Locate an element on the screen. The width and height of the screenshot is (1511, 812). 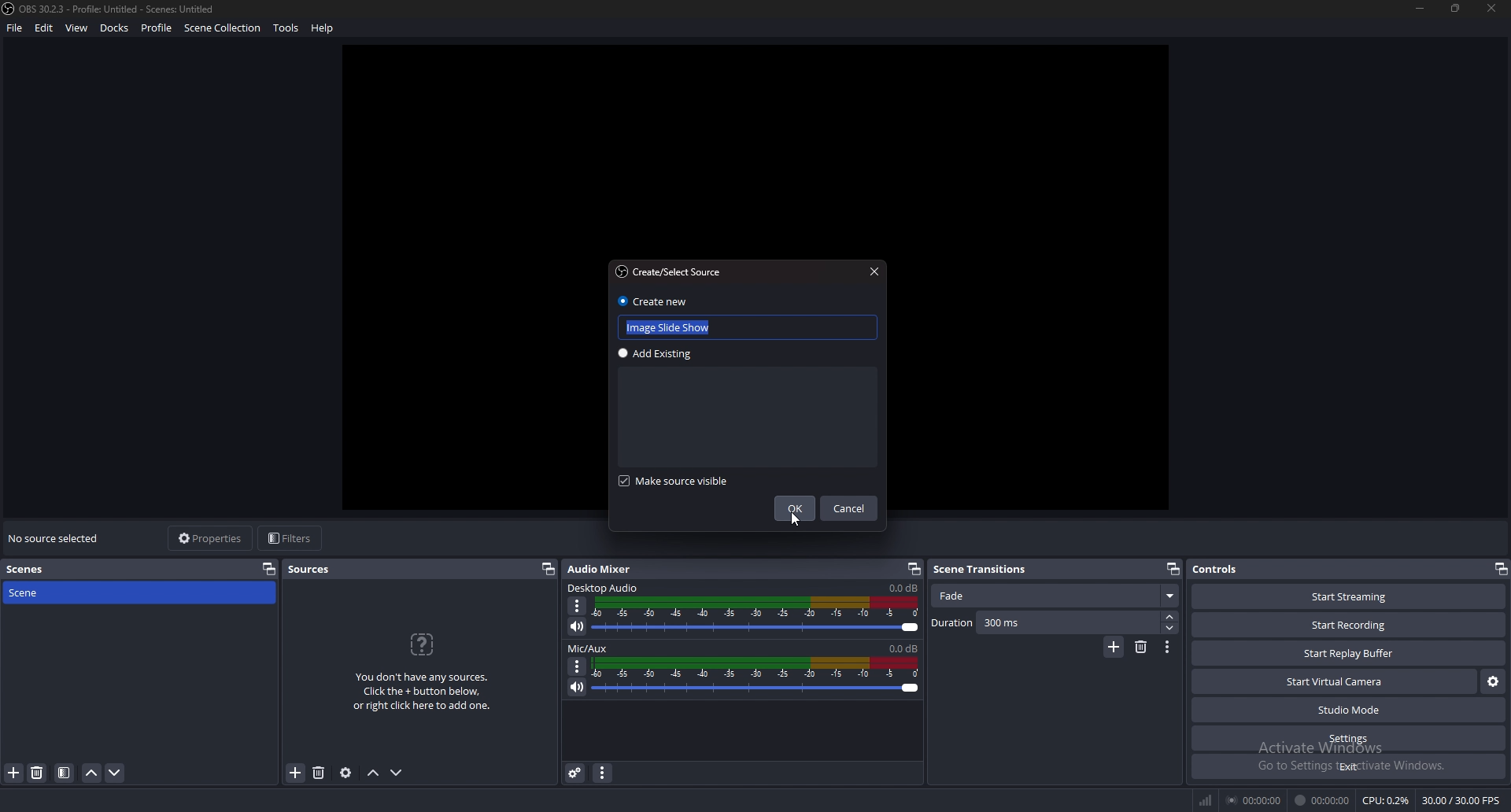
duration is located at coordinates (1044, 623).